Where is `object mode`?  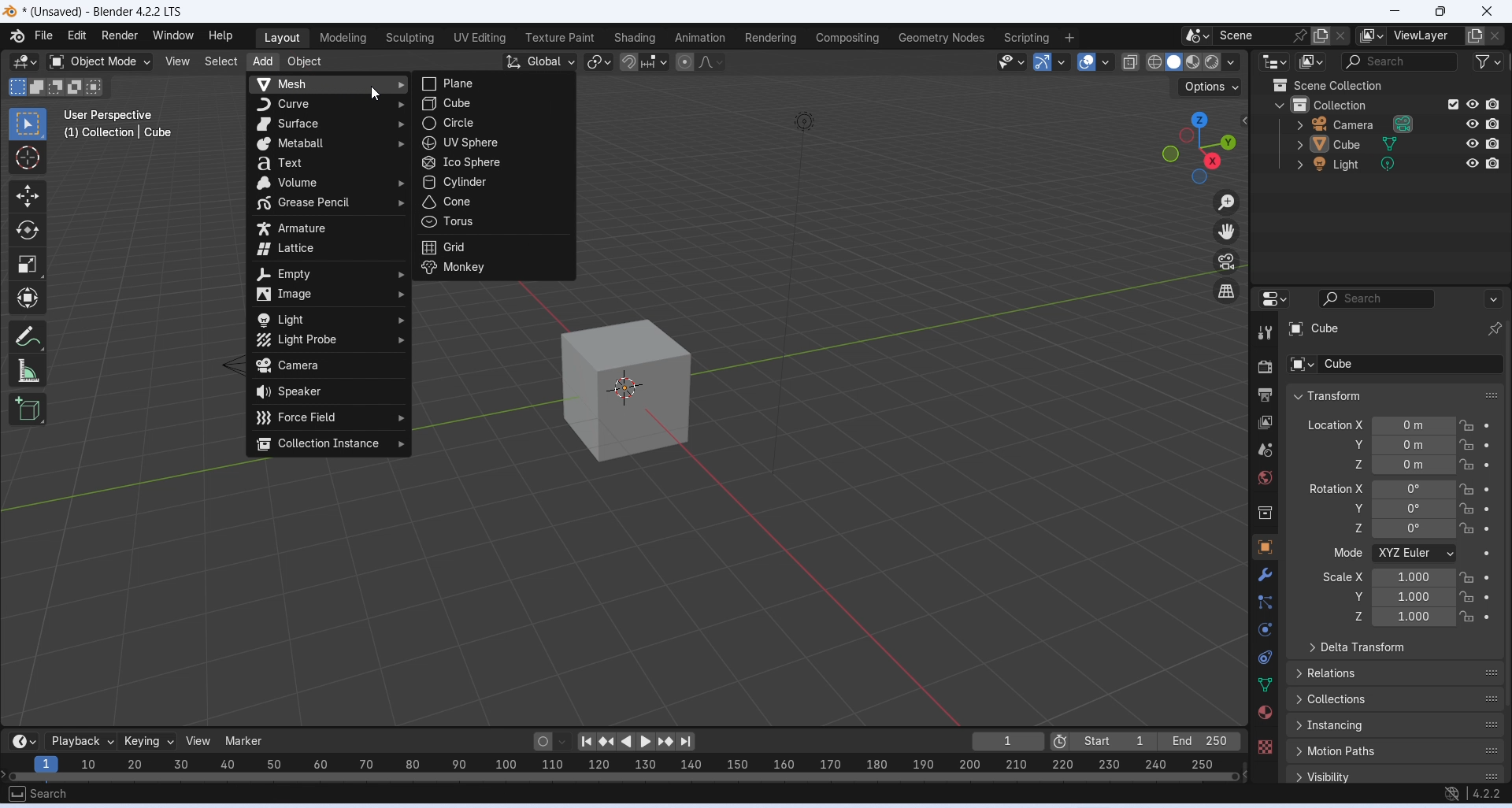
object mode is located at coordinates (100, 62).